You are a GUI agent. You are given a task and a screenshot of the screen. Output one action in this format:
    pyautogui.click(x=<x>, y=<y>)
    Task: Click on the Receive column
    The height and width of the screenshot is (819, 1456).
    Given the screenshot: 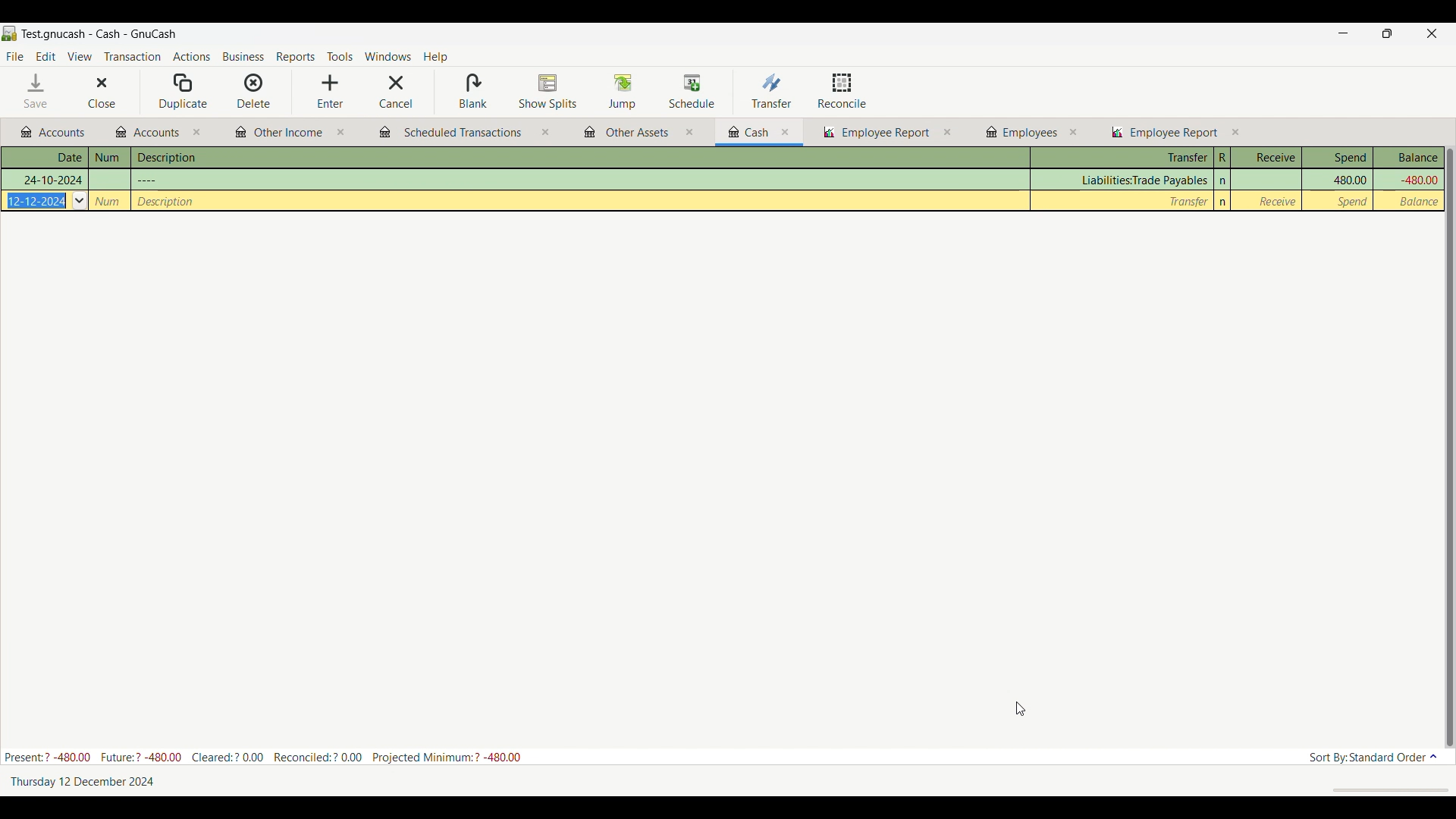 What is the action you would take?
    pyautogui.click(x=1277, y=201)
    